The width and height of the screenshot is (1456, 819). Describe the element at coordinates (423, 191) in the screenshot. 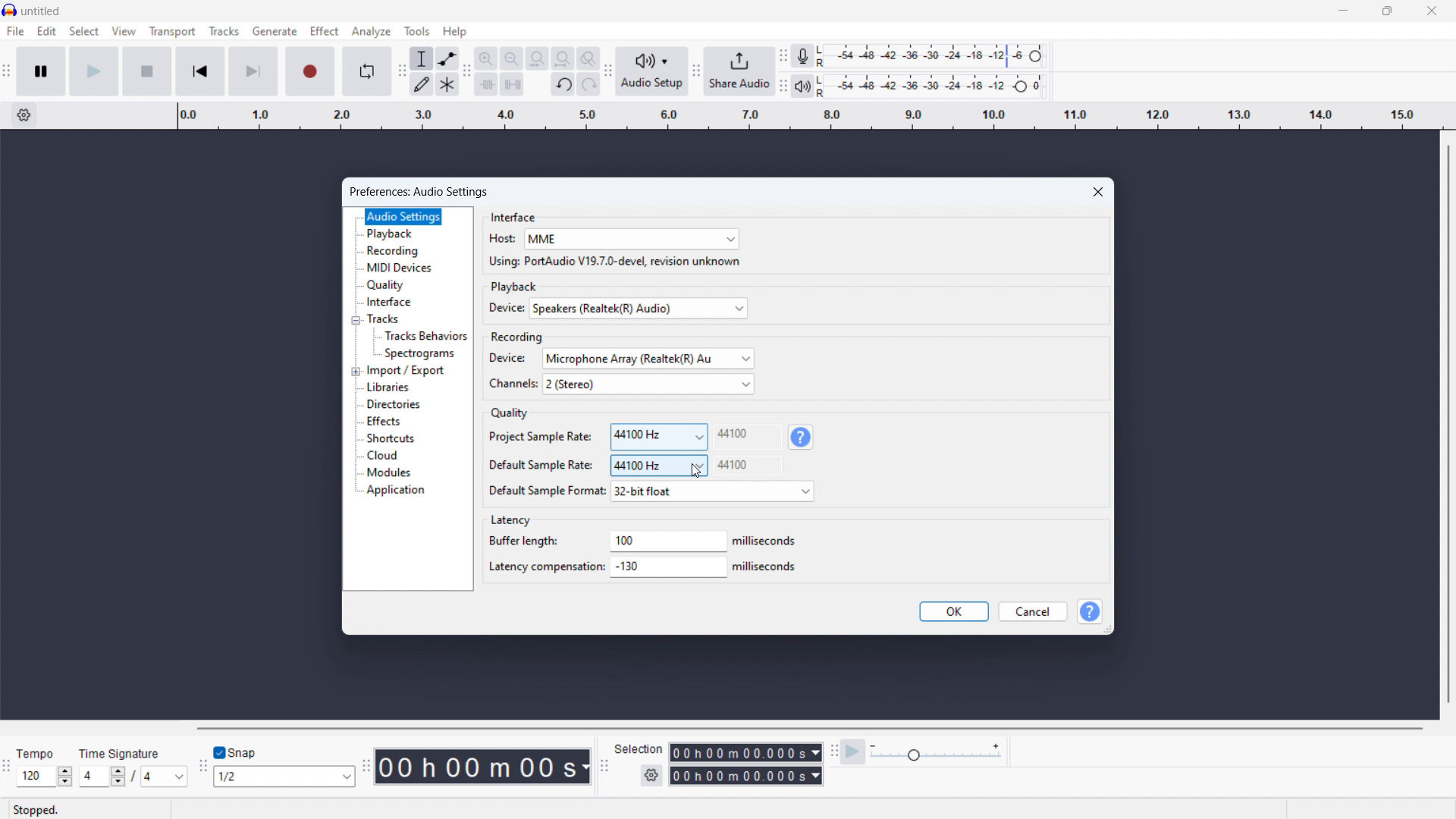

I see `preferences: audio settings` at that location.